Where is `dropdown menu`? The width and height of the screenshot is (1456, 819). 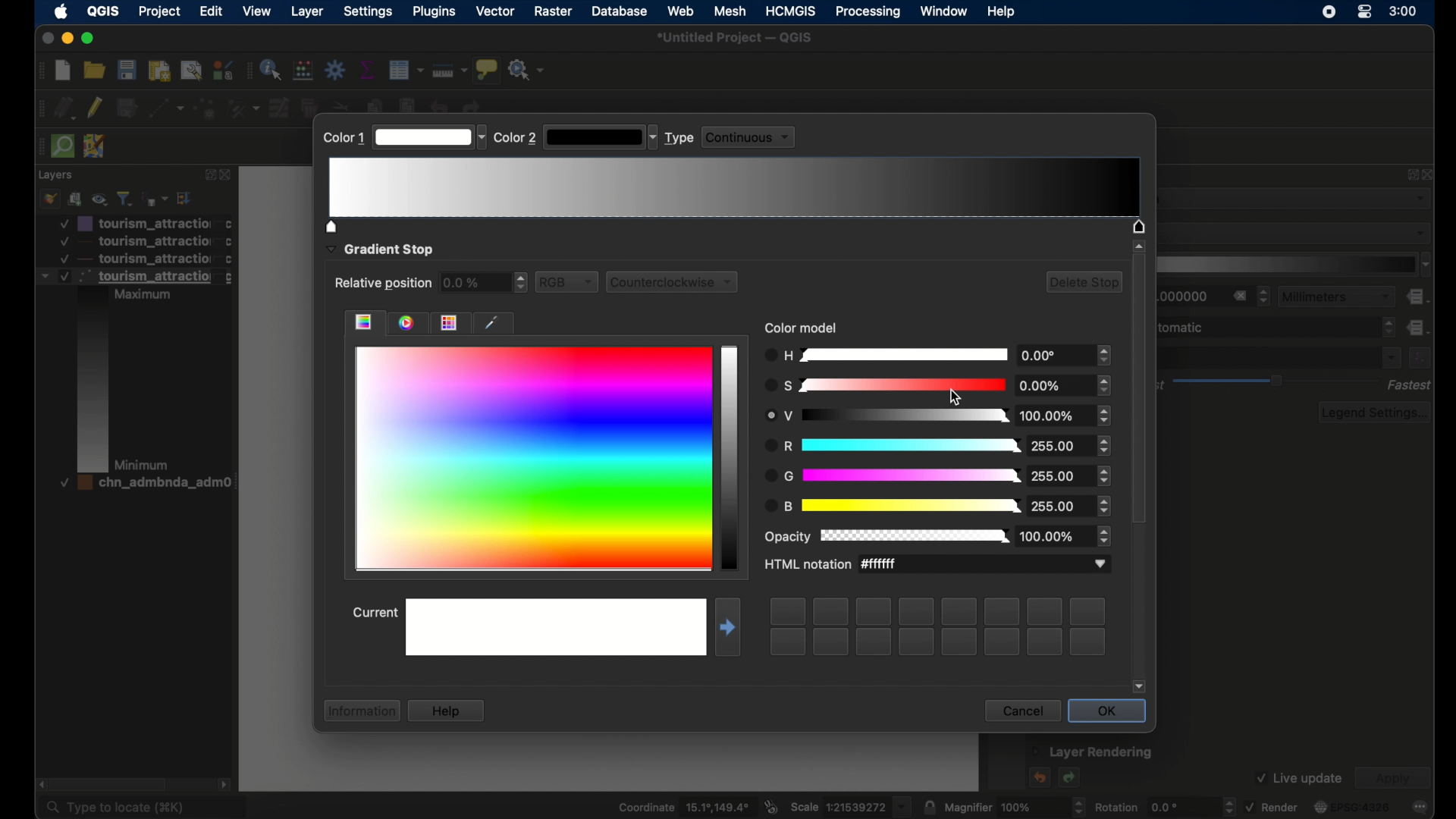 dropdown menu is located at coordinates (1390, 358).